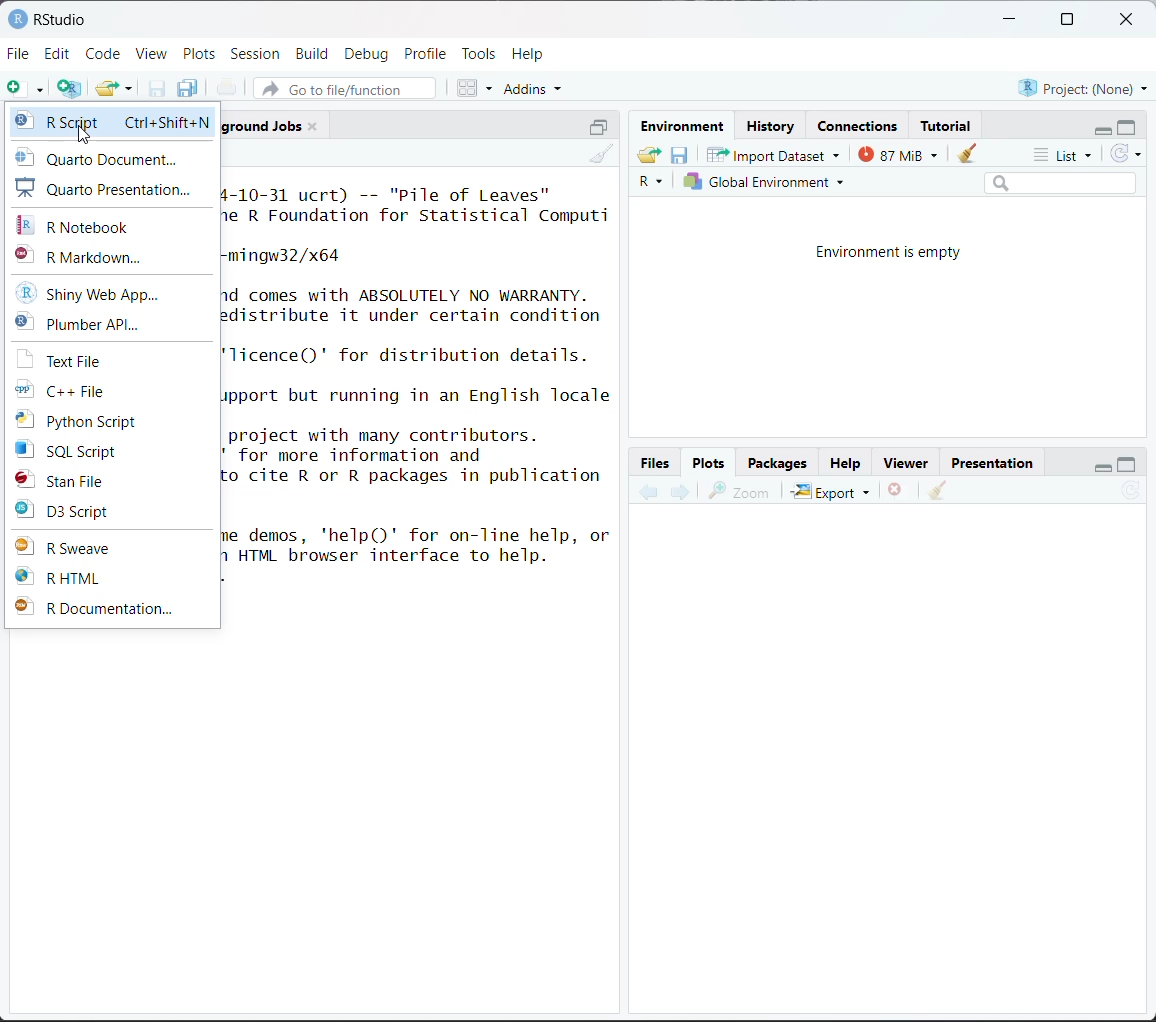  I want to click on zoom, so click(739, 491).